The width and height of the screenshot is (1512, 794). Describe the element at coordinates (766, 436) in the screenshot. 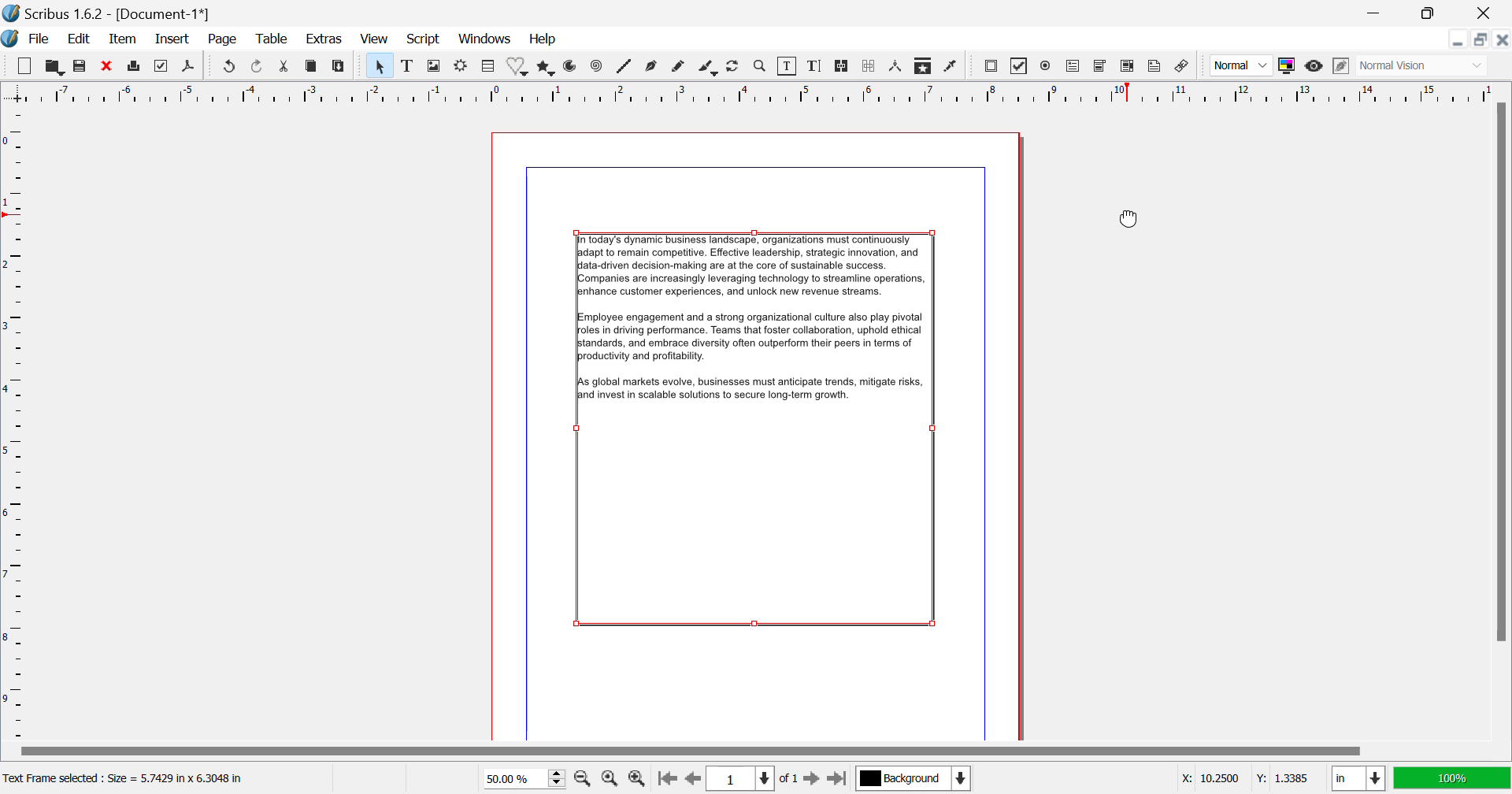

I see `Left Aligned Text Frame` at that location.